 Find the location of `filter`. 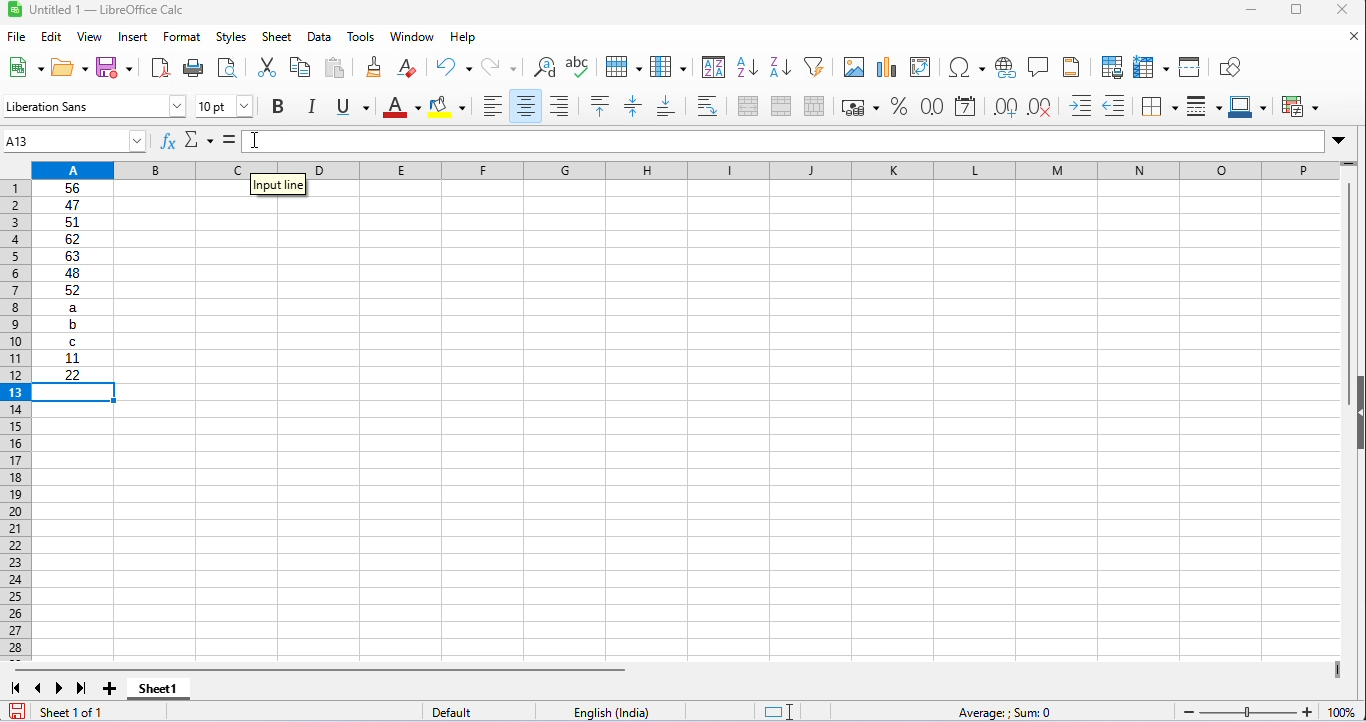

filter is located at coordinates (814, 66).